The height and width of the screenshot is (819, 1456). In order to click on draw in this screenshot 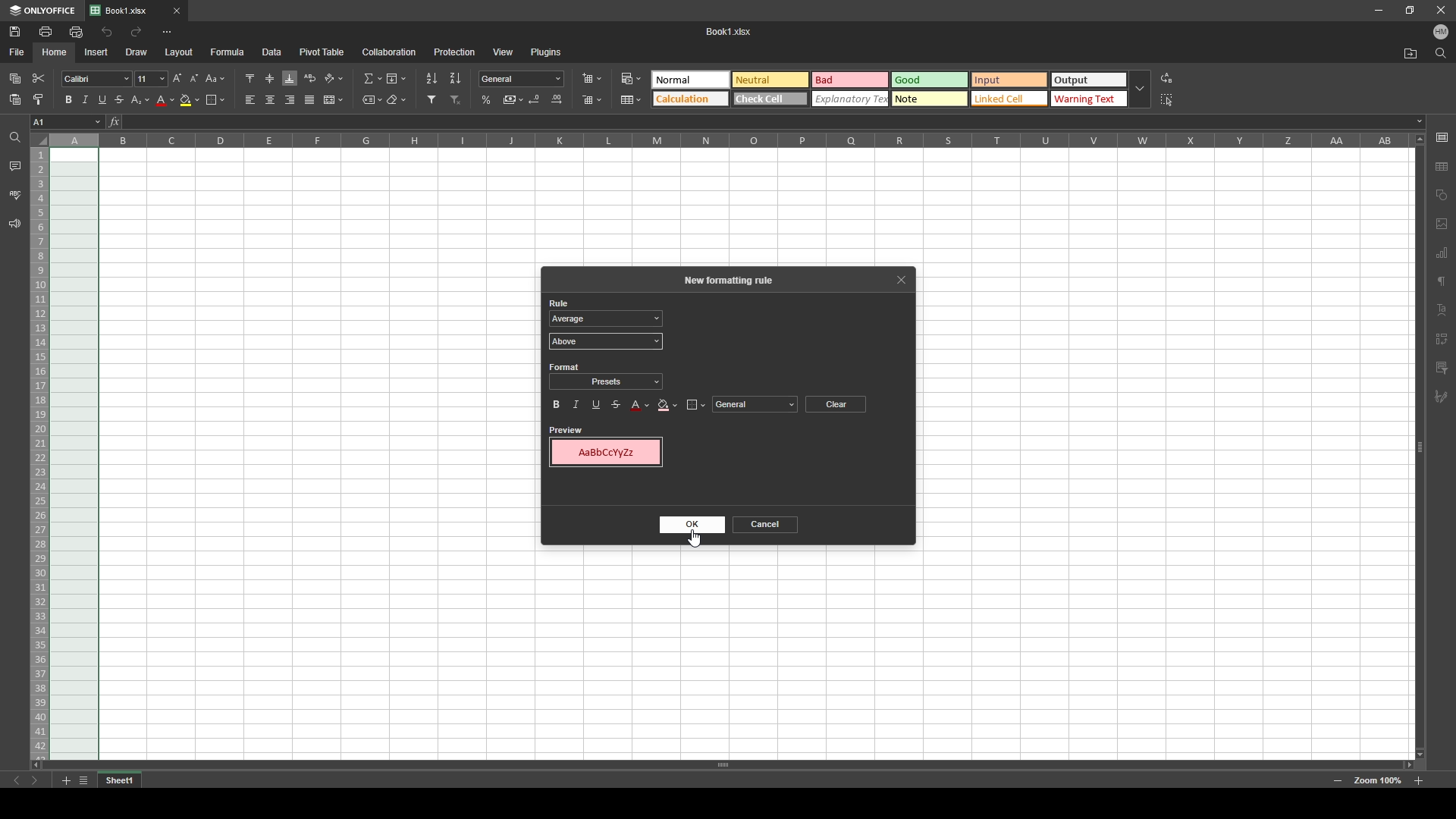, I will do `click(136, 52)`.